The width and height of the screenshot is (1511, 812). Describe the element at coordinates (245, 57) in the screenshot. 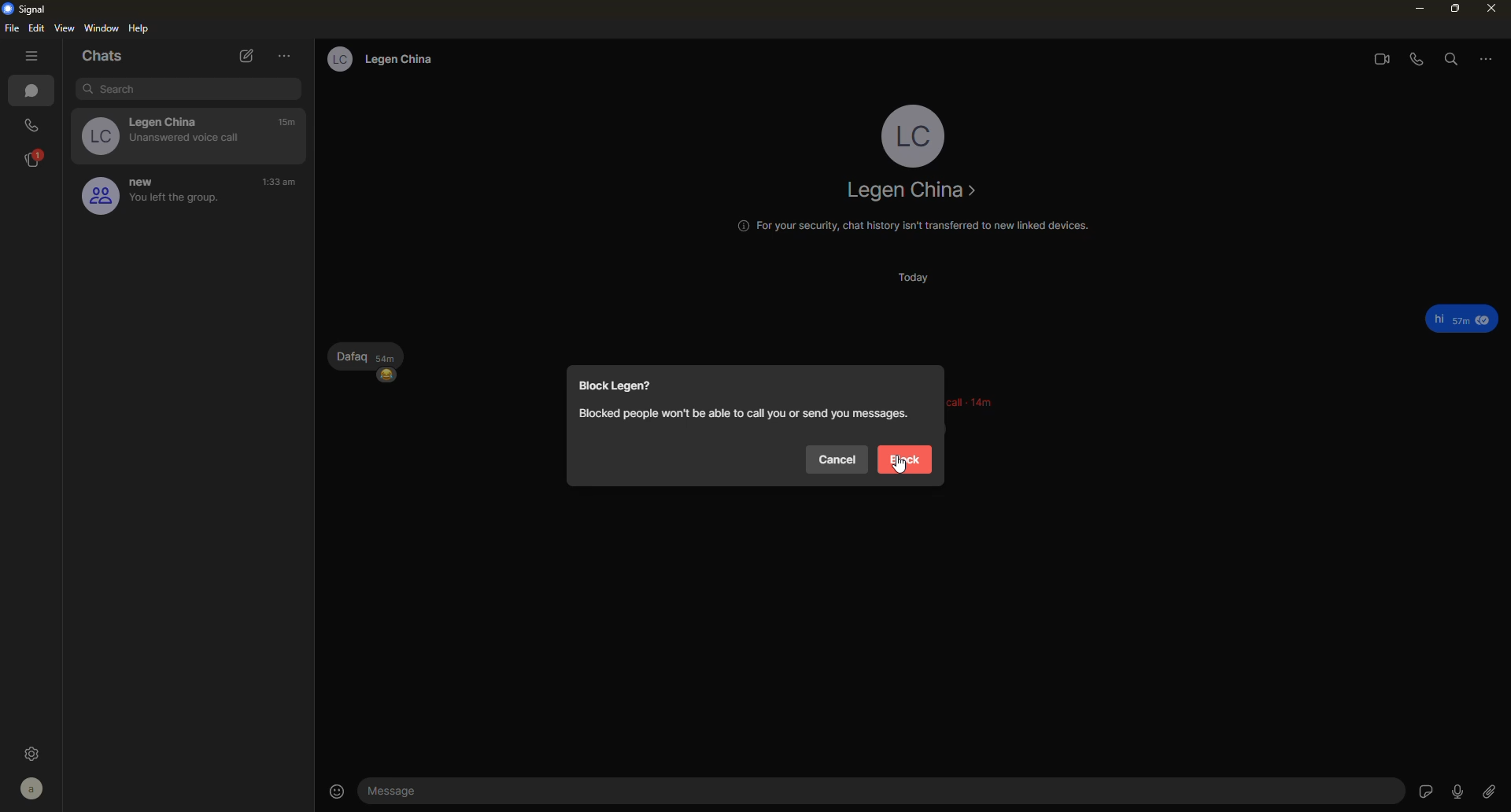

I see `new chat` at that location.